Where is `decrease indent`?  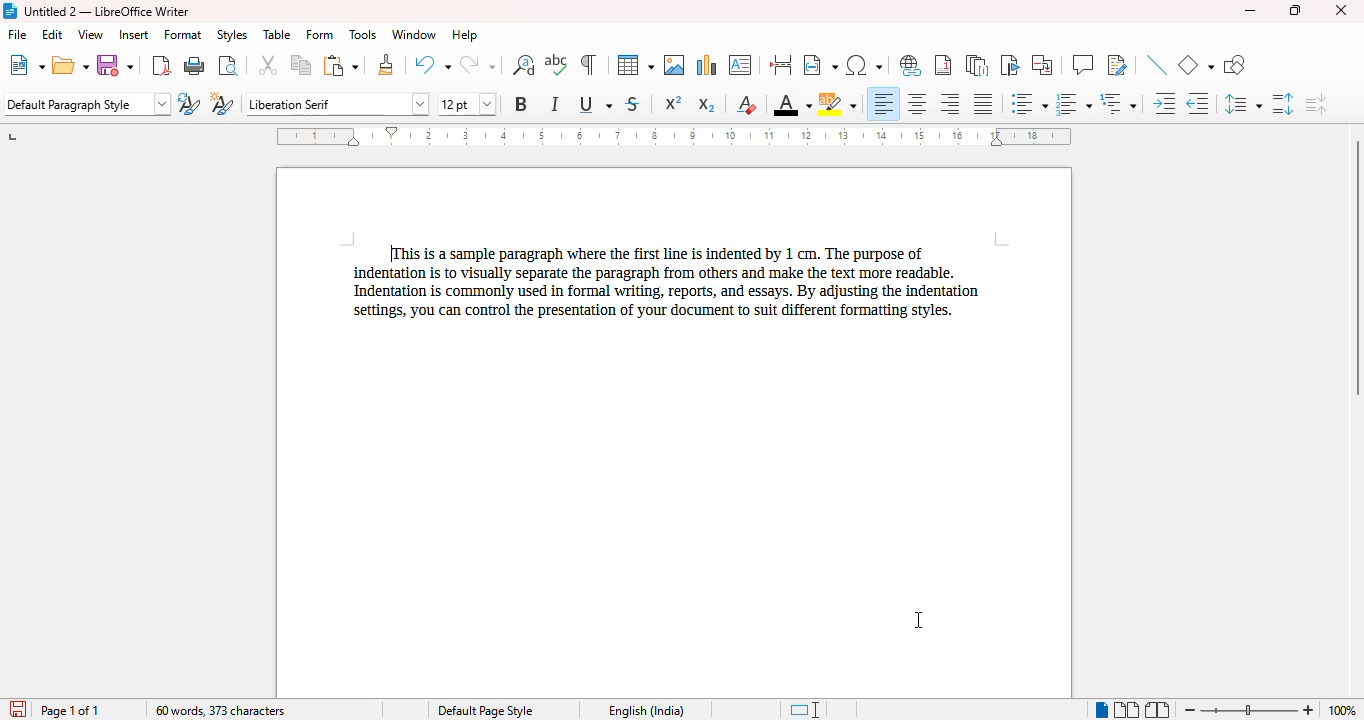
decrease indent is located at coordinates (1199, 103).